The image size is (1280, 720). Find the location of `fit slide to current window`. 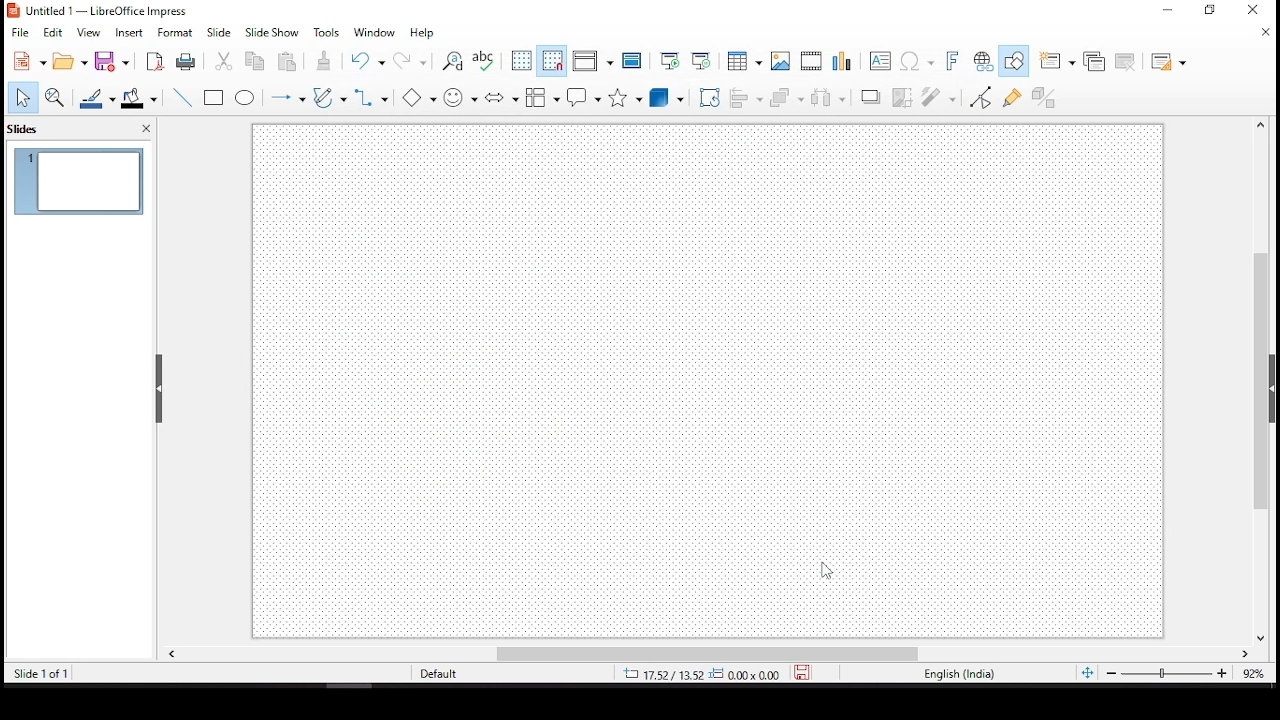

fit slide to current window is located at coordinates (1088, 674).